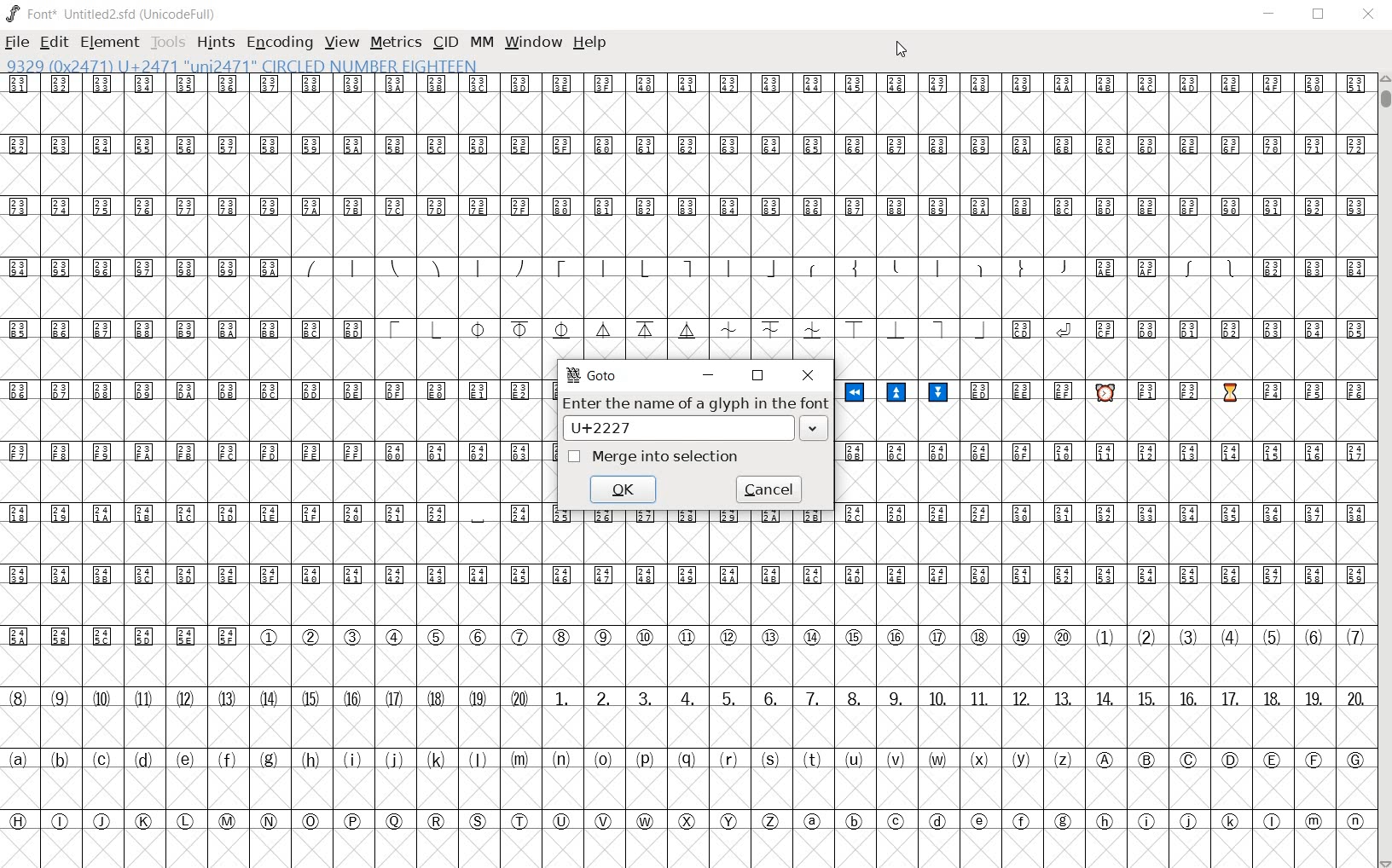  Describe the element at coordinates (17, 44) in the screenshot. I see `file` at that location.